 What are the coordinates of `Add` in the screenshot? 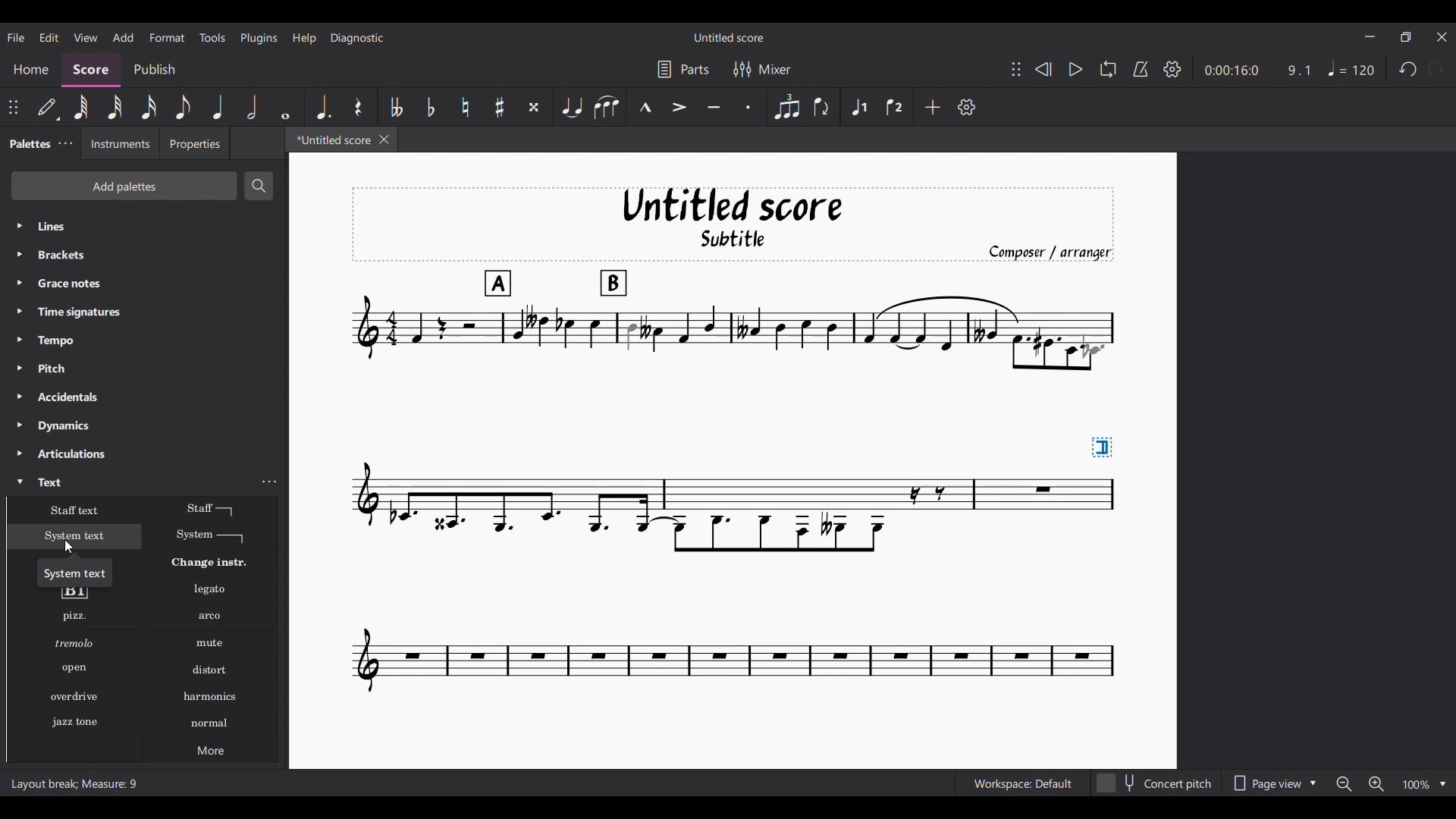 It's located at (932, 107).